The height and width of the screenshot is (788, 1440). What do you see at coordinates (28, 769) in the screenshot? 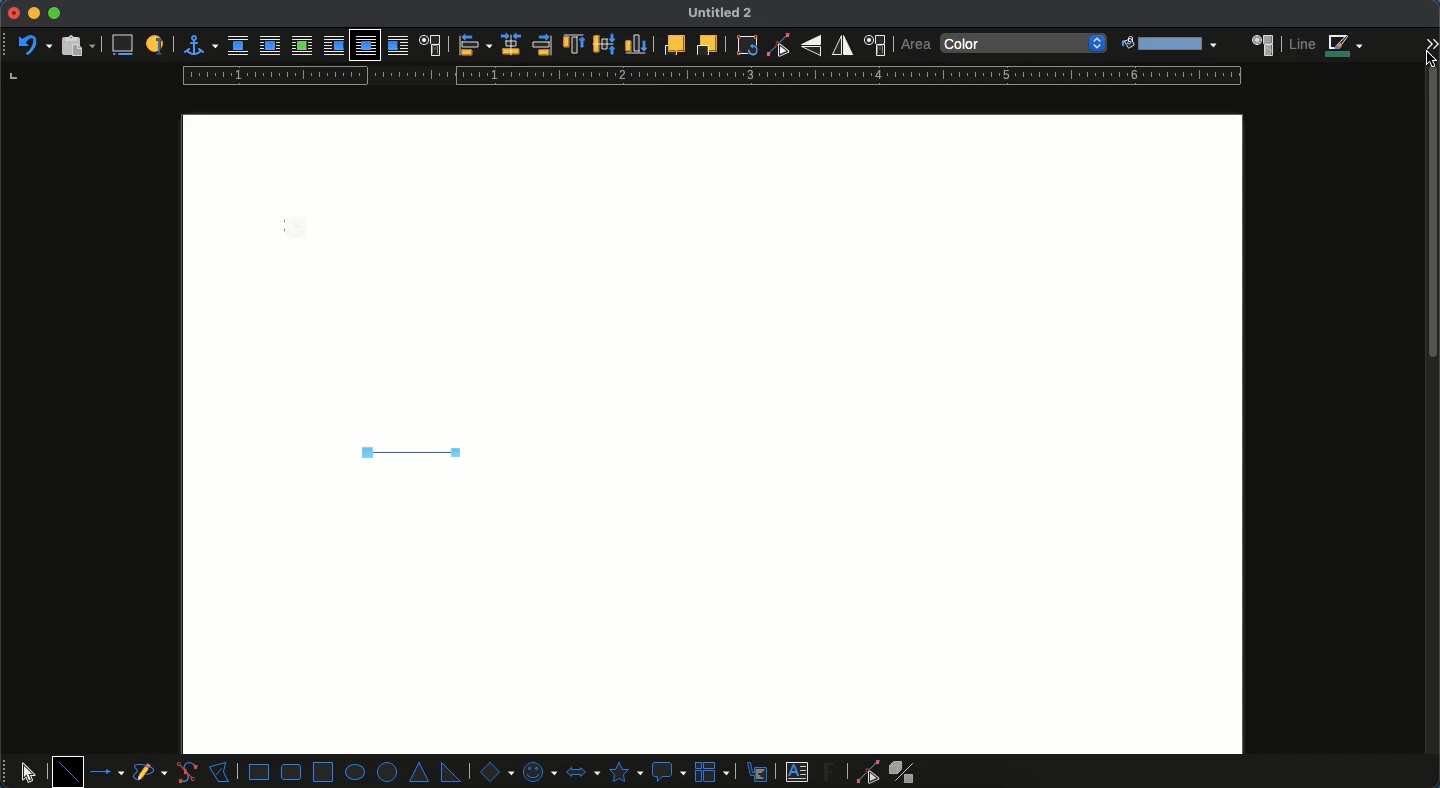
I see `select` at bounding box center [28, 769].